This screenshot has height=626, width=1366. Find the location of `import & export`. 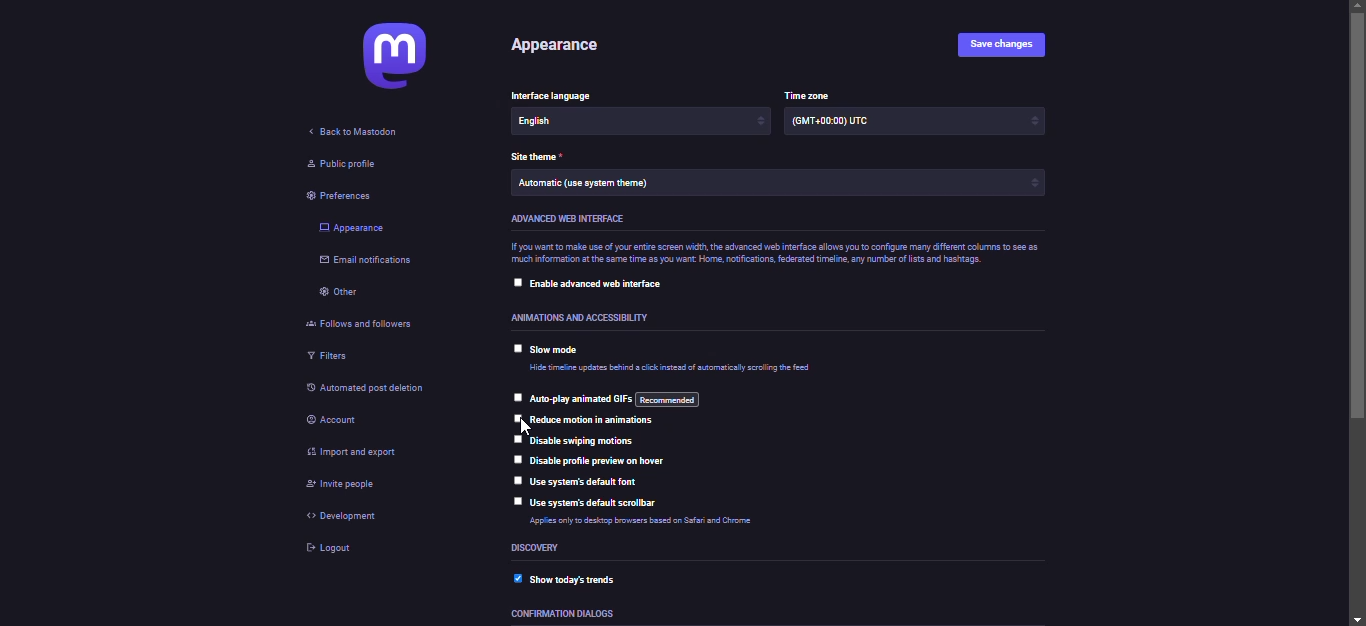

import & export is located at coordinates (367, 451).